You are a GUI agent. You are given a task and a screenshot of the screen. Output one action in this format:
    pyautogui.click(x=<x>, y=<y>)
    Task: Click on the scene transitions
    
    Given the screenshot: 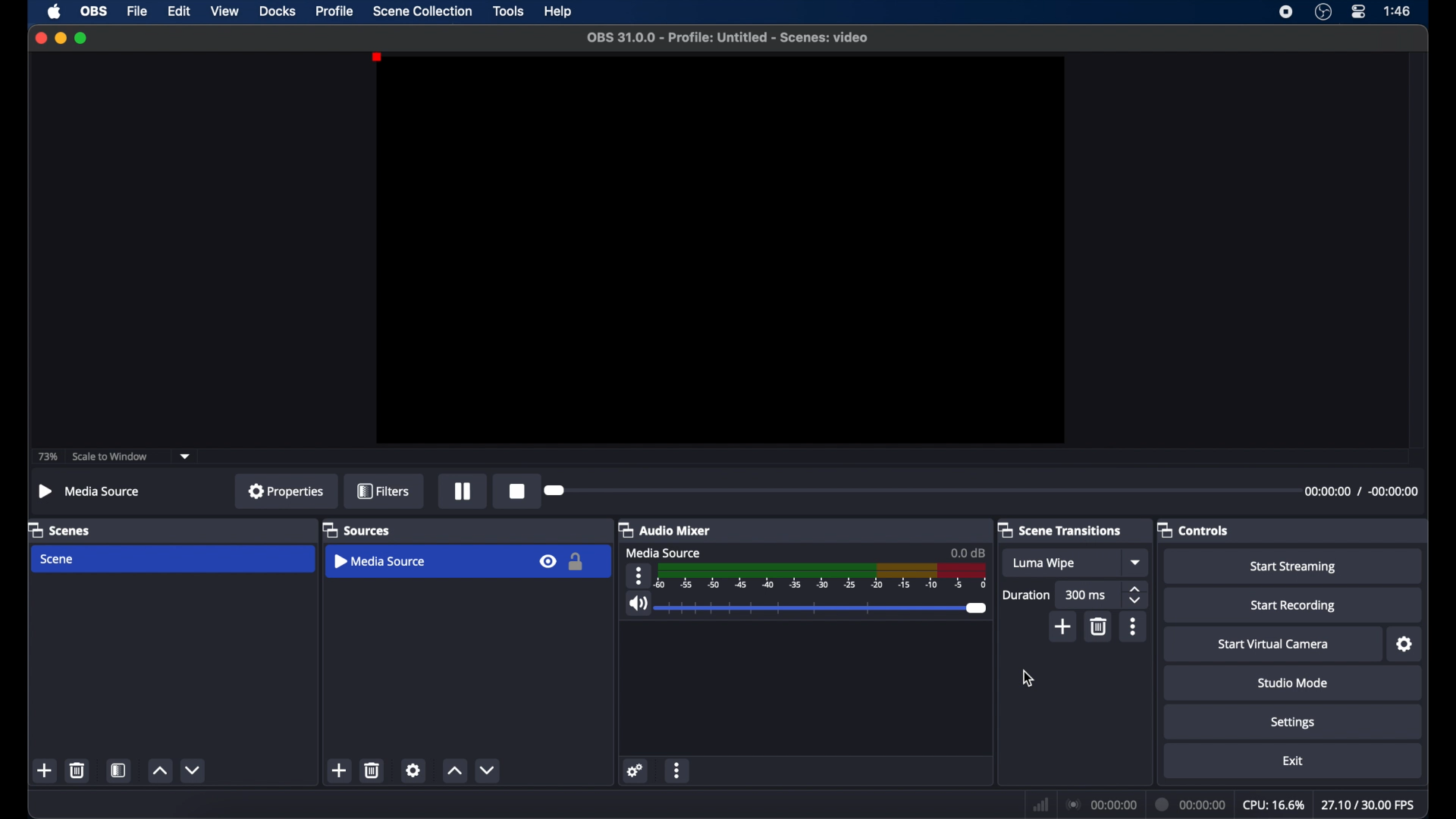 What is the action you would take?
    pyautogui.click(x=1059, y=529)
    